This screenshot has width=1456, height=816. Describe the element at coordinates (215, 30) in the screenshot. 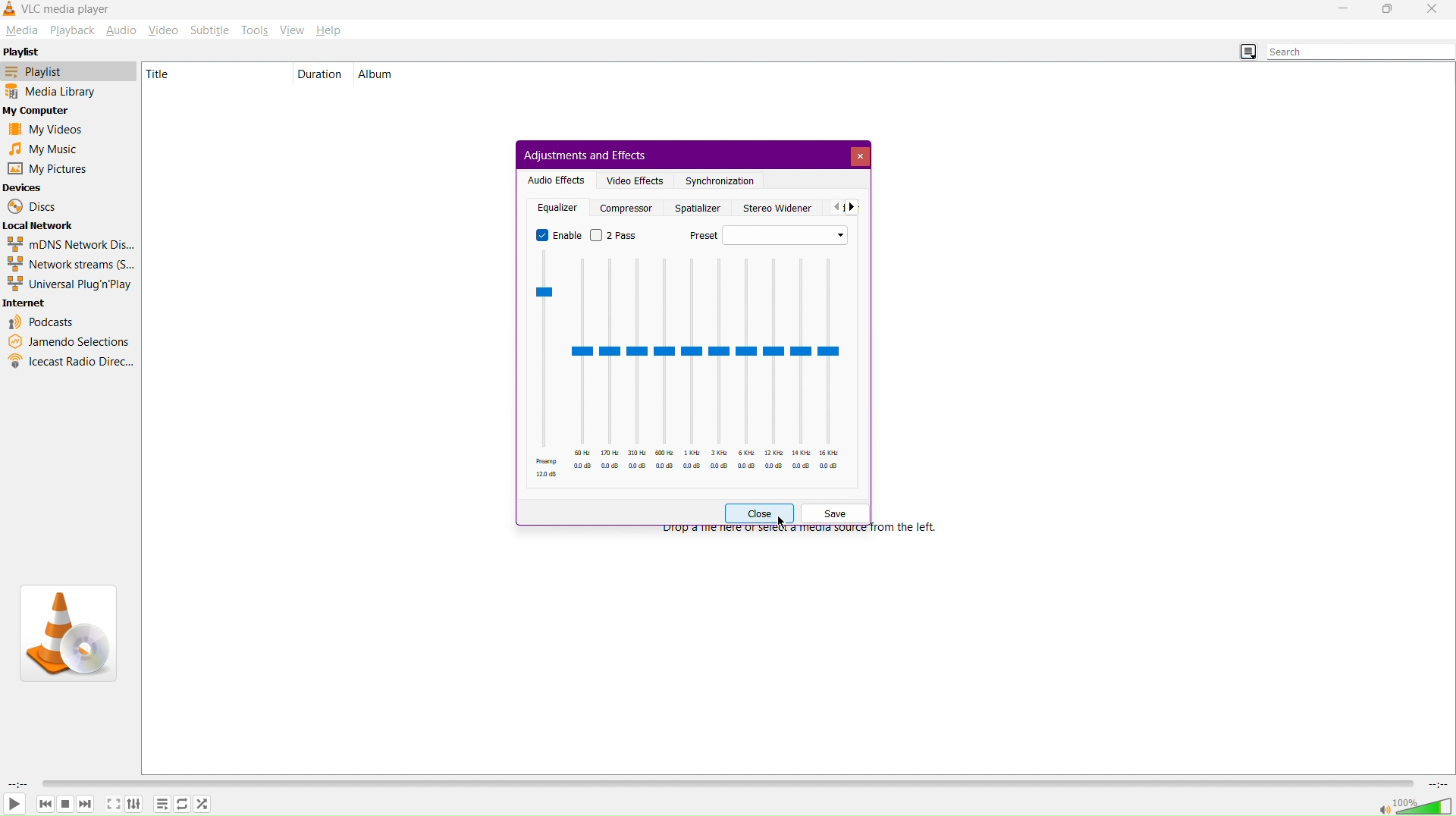

I see `Subtitle` at that location.